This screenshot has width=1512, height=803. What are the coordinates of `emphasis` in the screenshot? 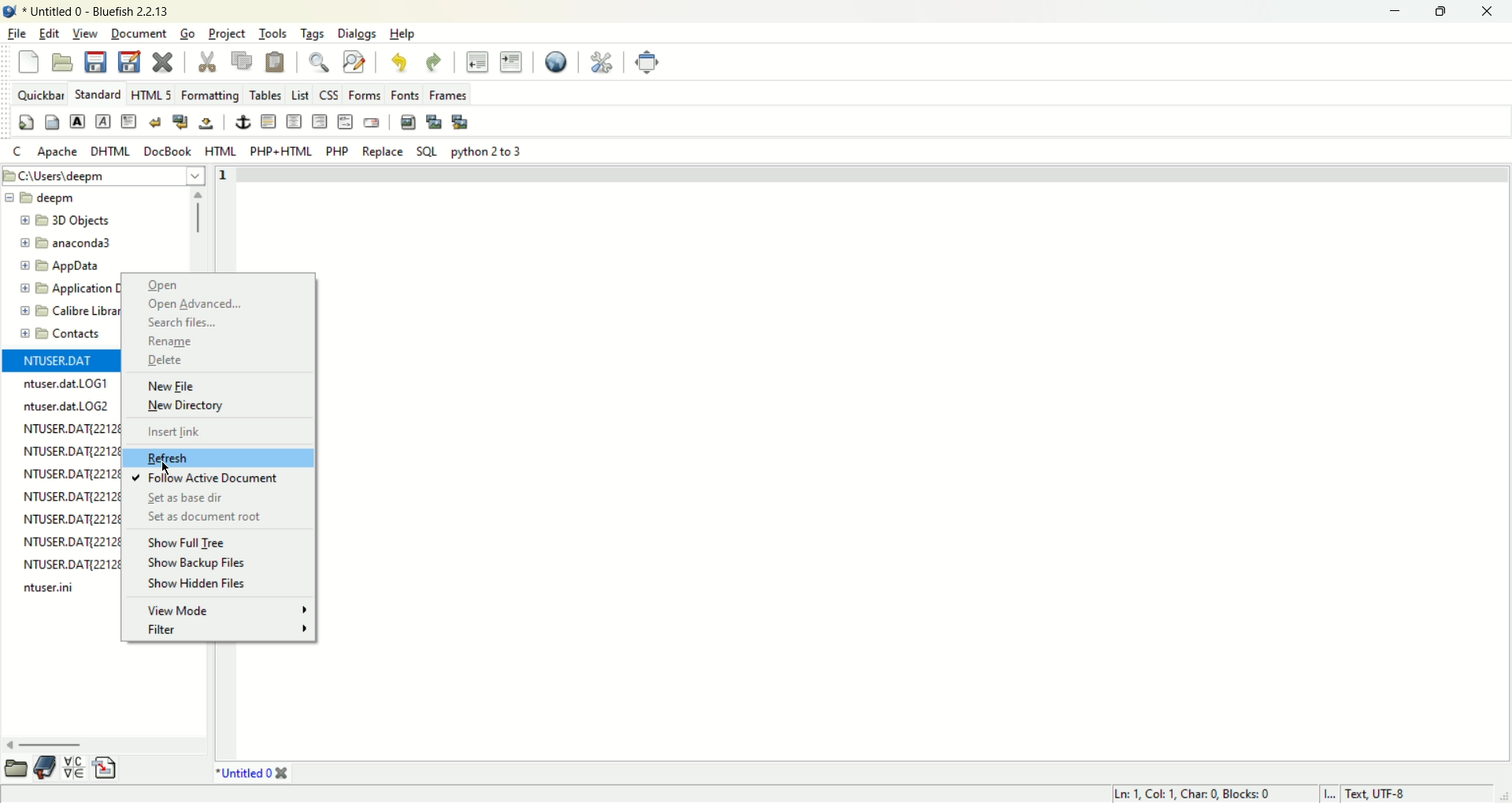 It's located at (102, 120).